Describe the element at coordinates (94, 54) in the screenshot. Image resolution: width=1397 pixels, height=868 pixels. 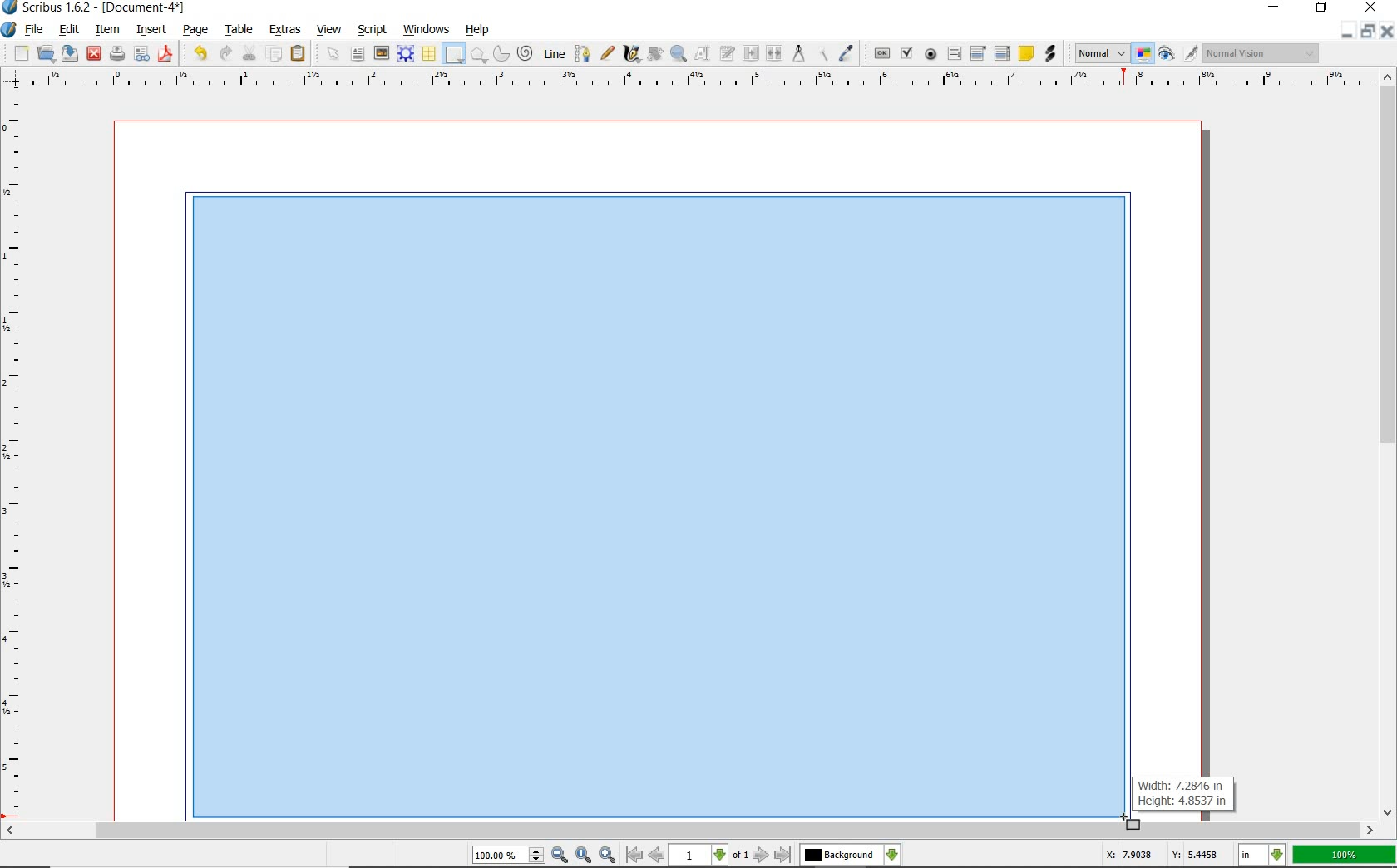
I see `close` at that location.